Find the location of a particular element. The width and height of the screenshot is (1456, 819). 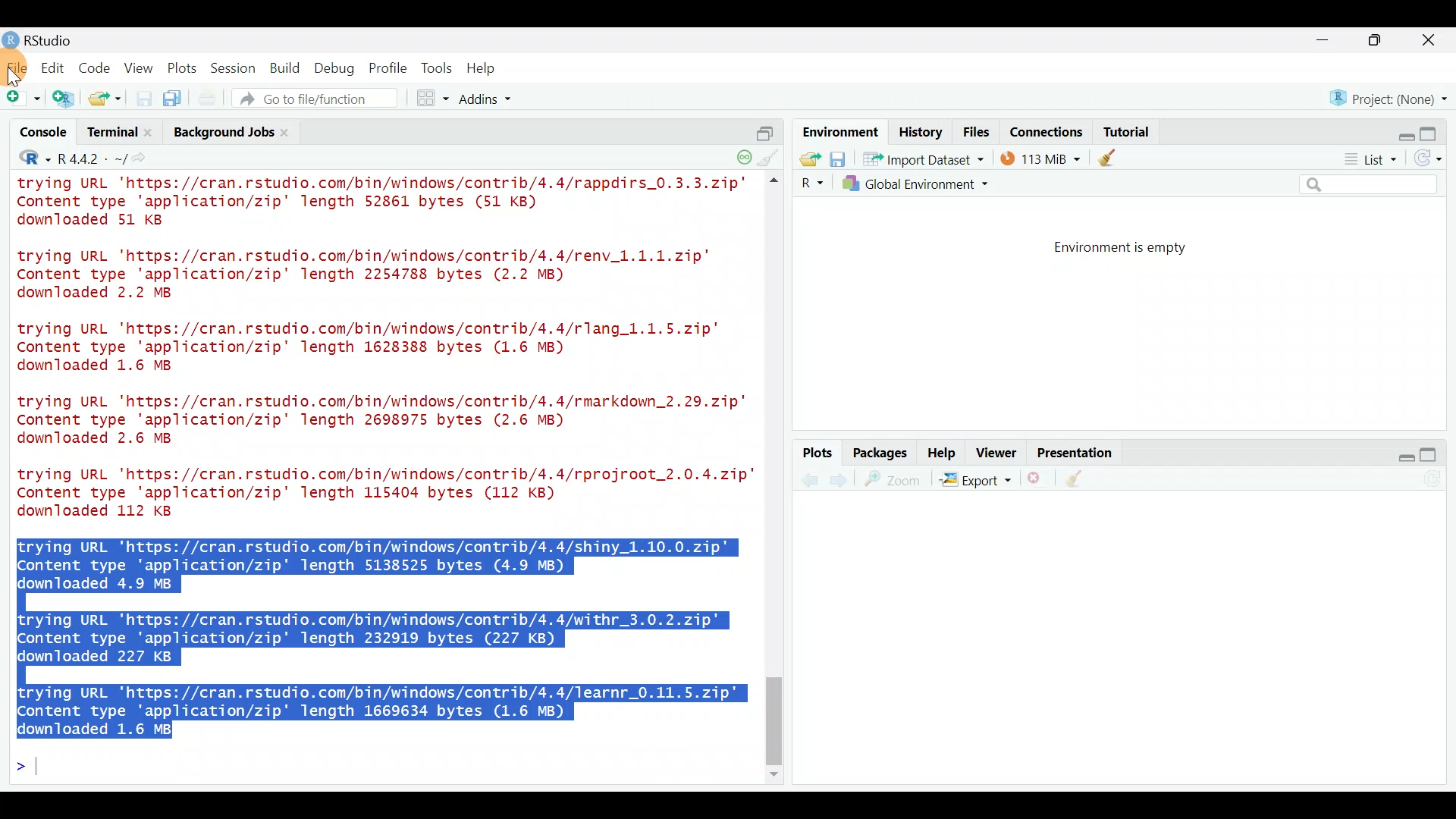

Load workspace is located at coordinates (806, 158).